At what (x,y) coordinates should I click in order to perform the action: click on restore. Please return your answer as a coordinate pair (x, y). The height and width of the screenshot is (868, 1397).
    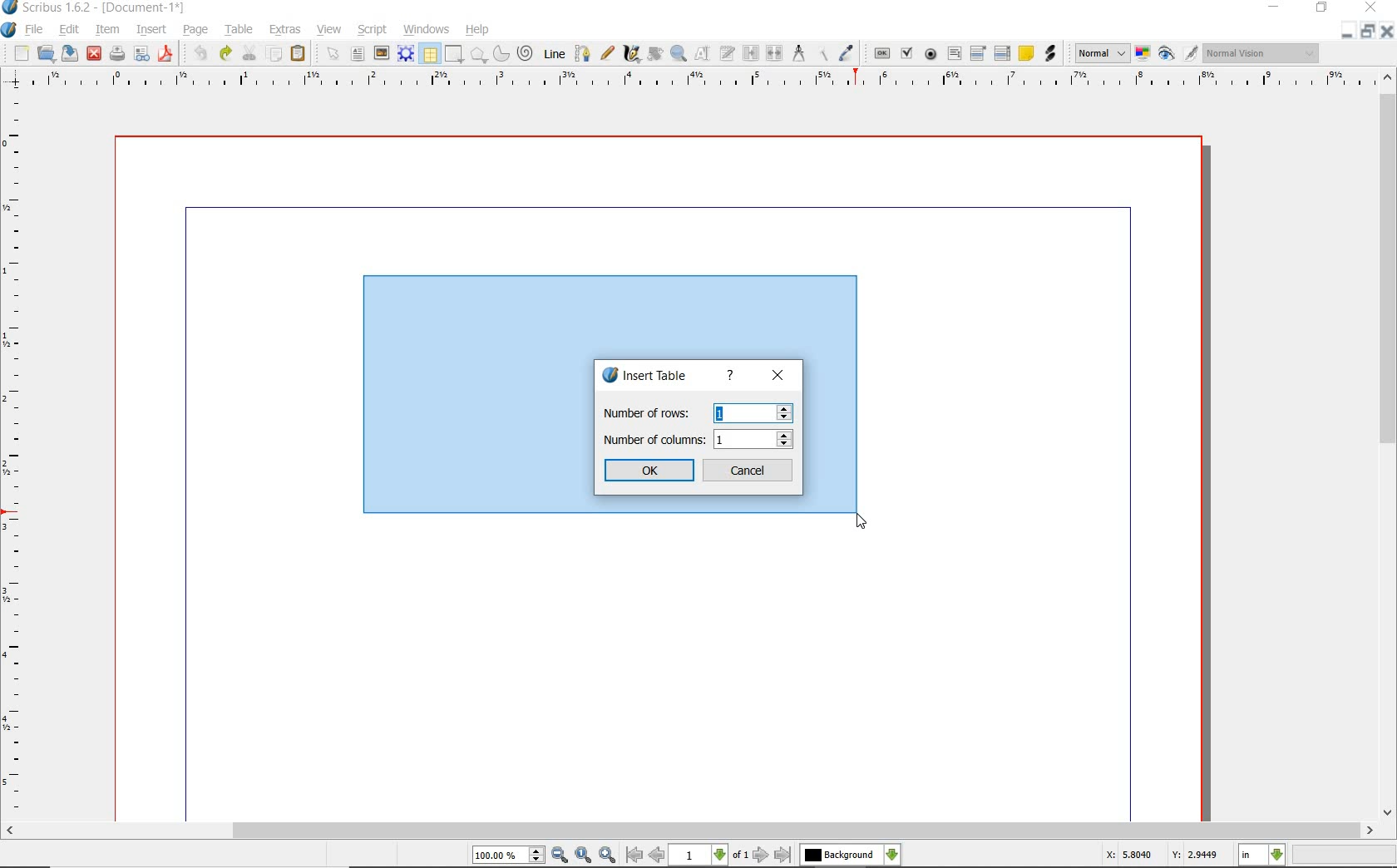
    Looking at the image, I should click on (1366, 32).